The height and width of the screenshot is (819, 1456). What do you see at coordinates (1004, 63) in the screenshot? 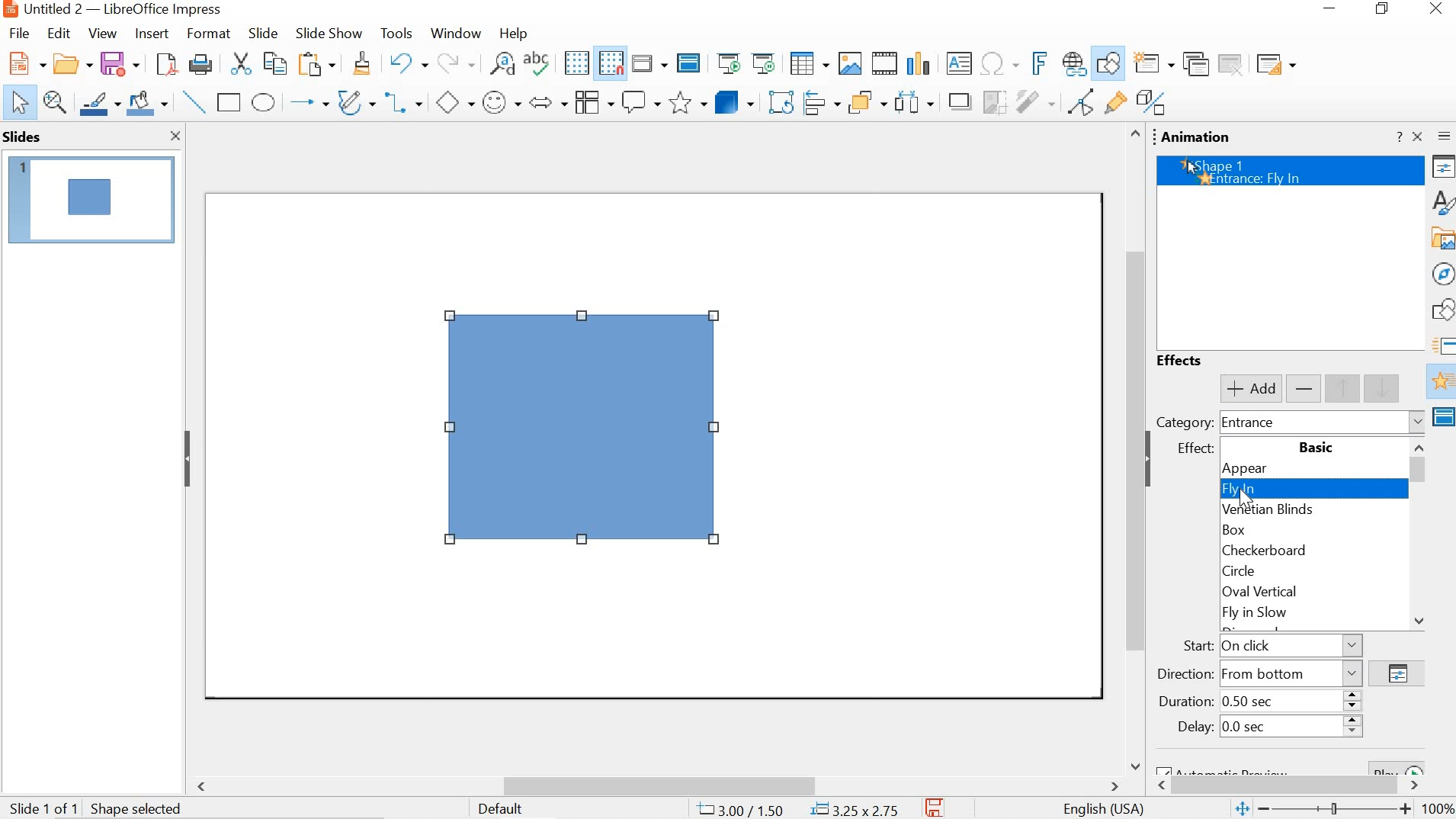
I see `insert special characters` at bounding box center [1004, 63].